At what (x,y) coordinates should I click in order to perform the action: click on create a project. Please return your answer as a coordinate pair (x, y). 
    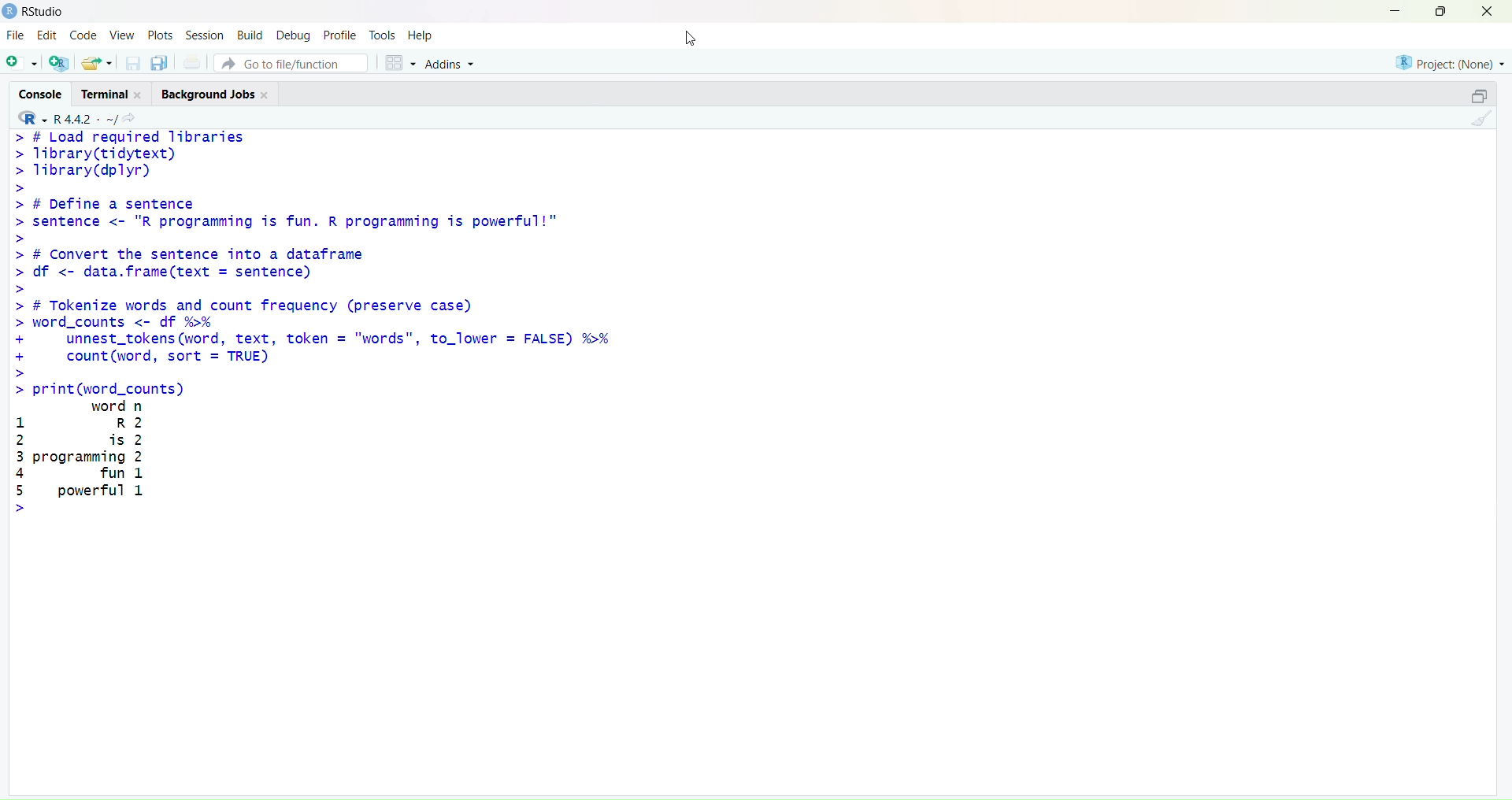
    Looking at the image, I should click on (59, 64).